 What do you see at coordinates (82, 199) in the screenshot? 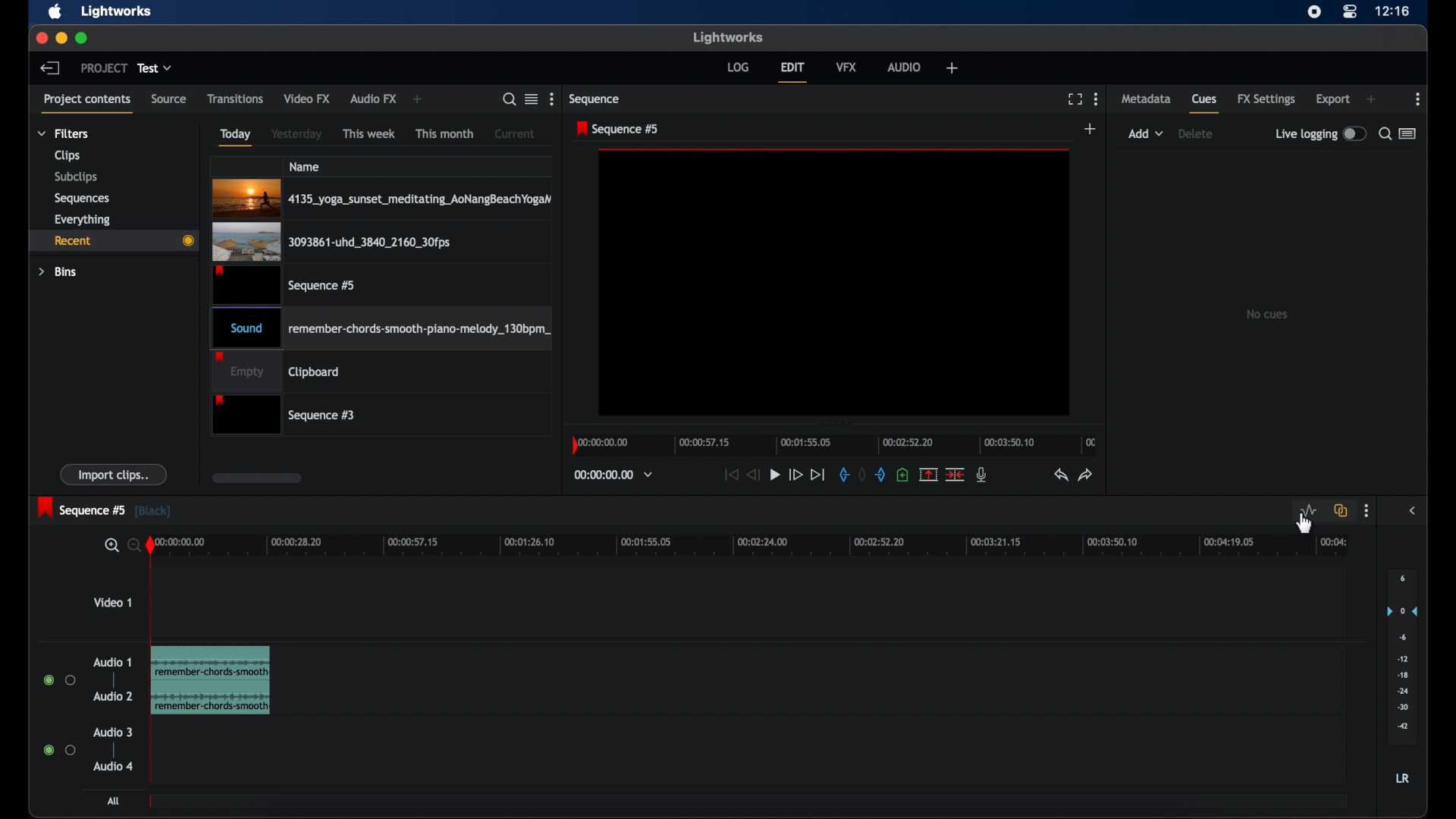
I see `sequencies` at bounding box center [82, 199].